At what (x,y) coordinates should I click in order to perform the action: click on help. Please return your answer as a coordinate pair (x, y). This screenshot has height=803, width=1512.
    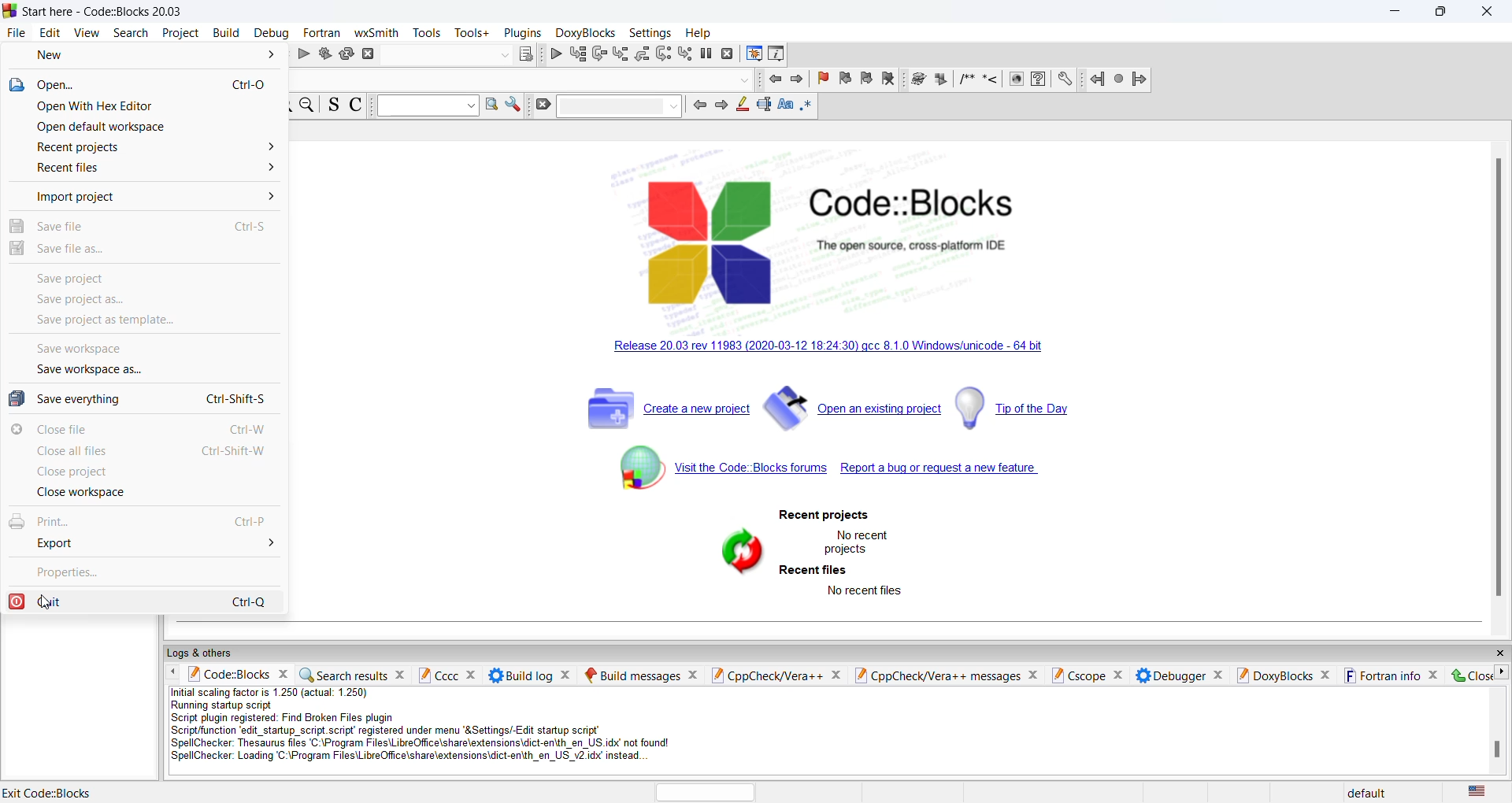
    Looking at the image, I should click on (702, 33).